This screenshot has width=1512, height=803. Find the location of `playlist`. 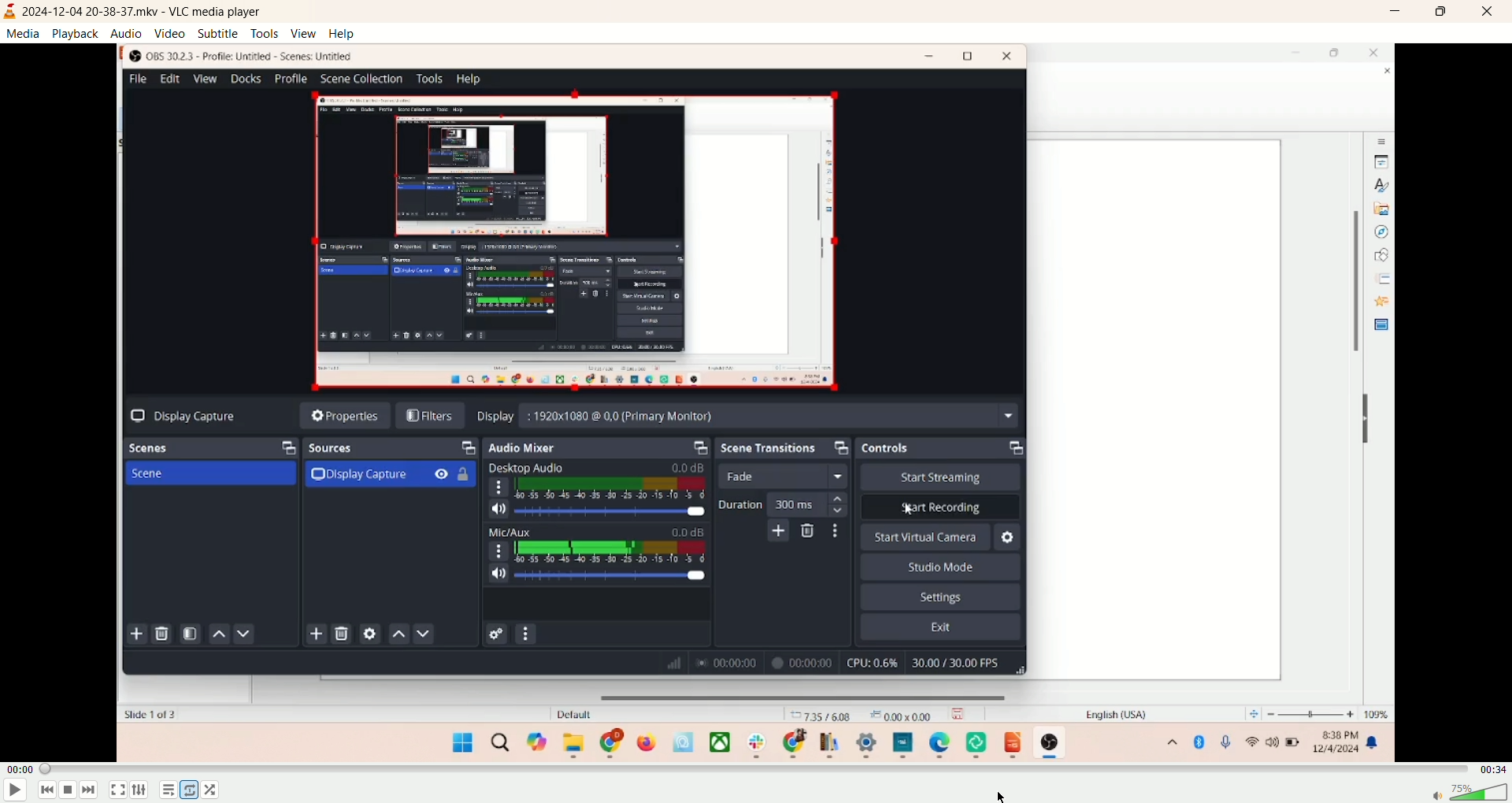

playlist is located at coordinates (169, 790).